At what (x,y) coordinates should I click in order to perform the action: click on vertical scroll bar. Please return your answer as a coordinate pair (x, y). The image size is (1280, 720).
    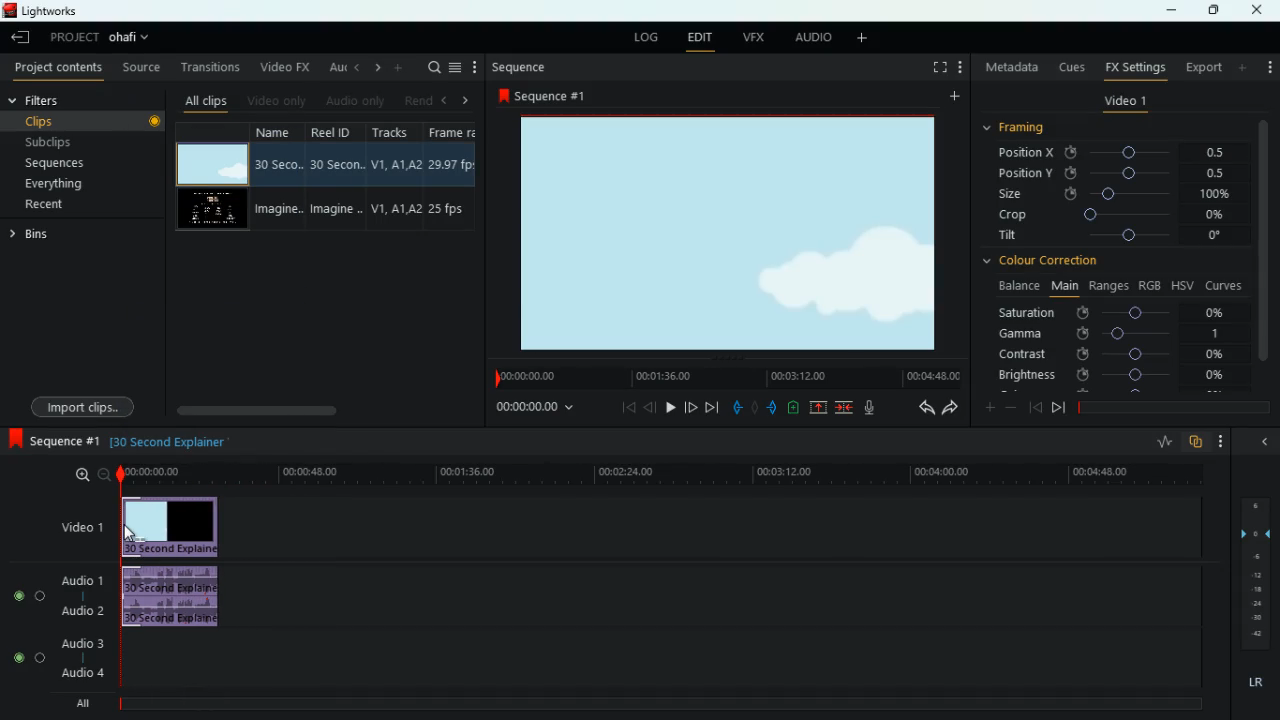
    Looking at the image, I should click on (1265, 245).